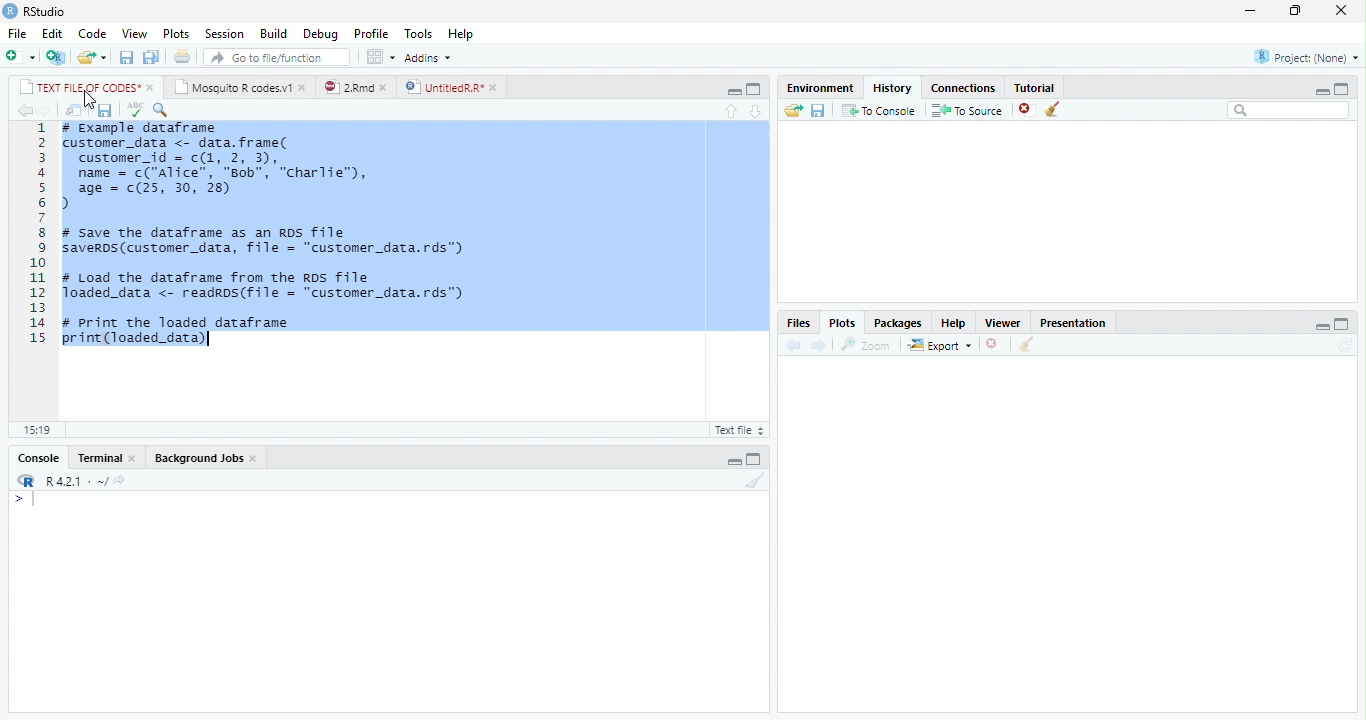 Image resolution: width=1366 pixels, height=720 pixels. Describe the element at coordinates (127, 57) in the screenshot. I see `save` at that location.